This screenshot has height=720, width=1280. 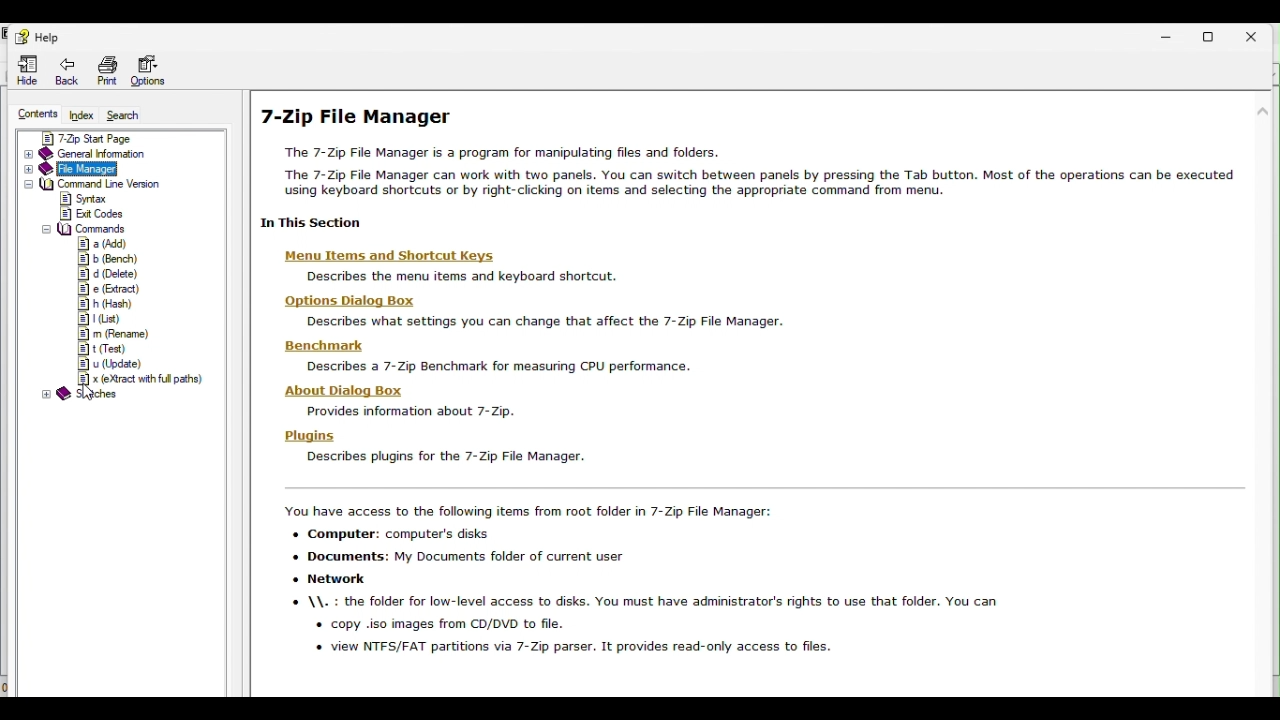 I want to click on Syntax, so click(x=110, y=200).